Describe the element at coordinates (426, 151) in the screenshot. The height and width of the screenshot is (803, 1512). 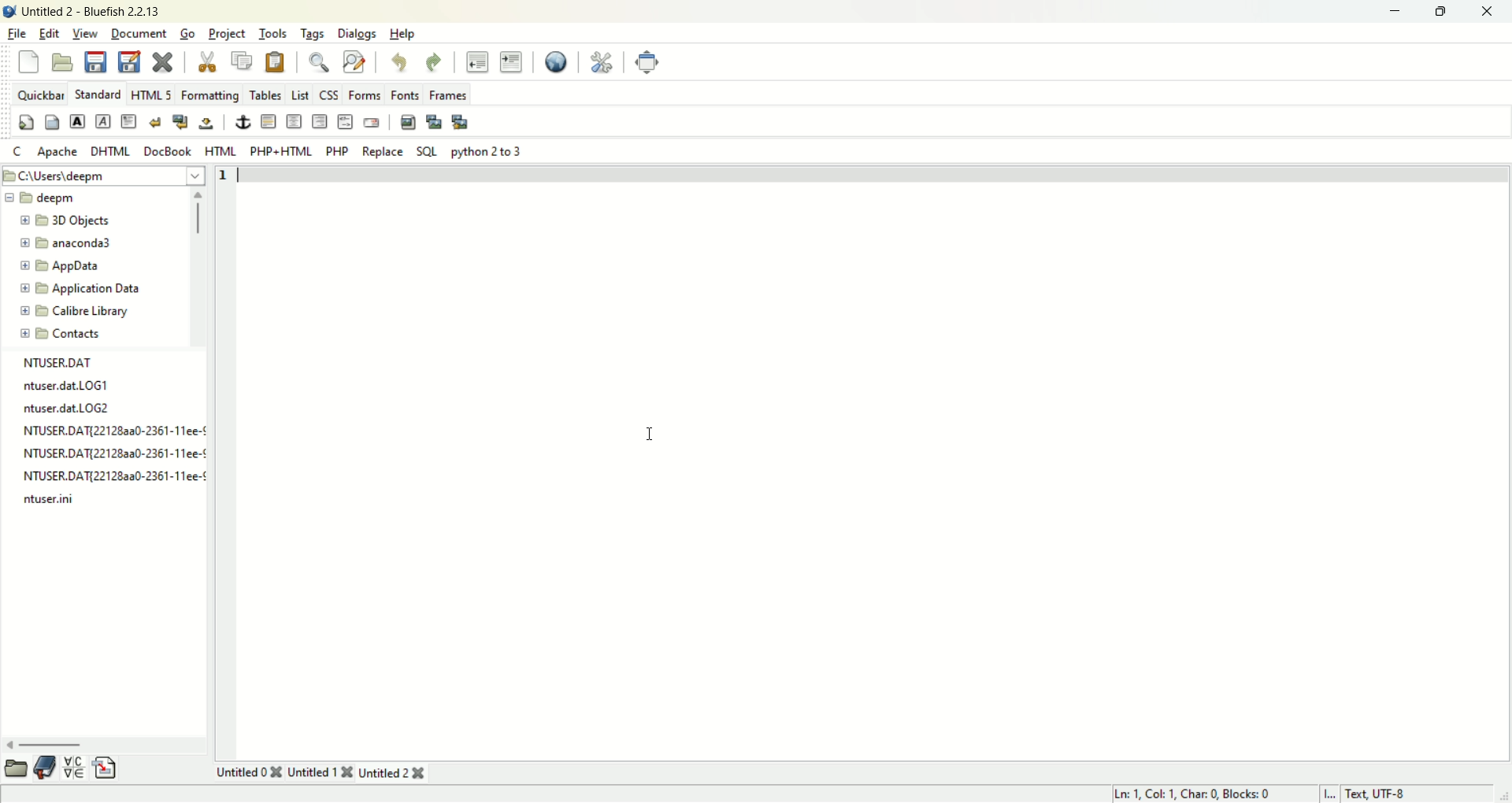
I see `SQL` at that location.